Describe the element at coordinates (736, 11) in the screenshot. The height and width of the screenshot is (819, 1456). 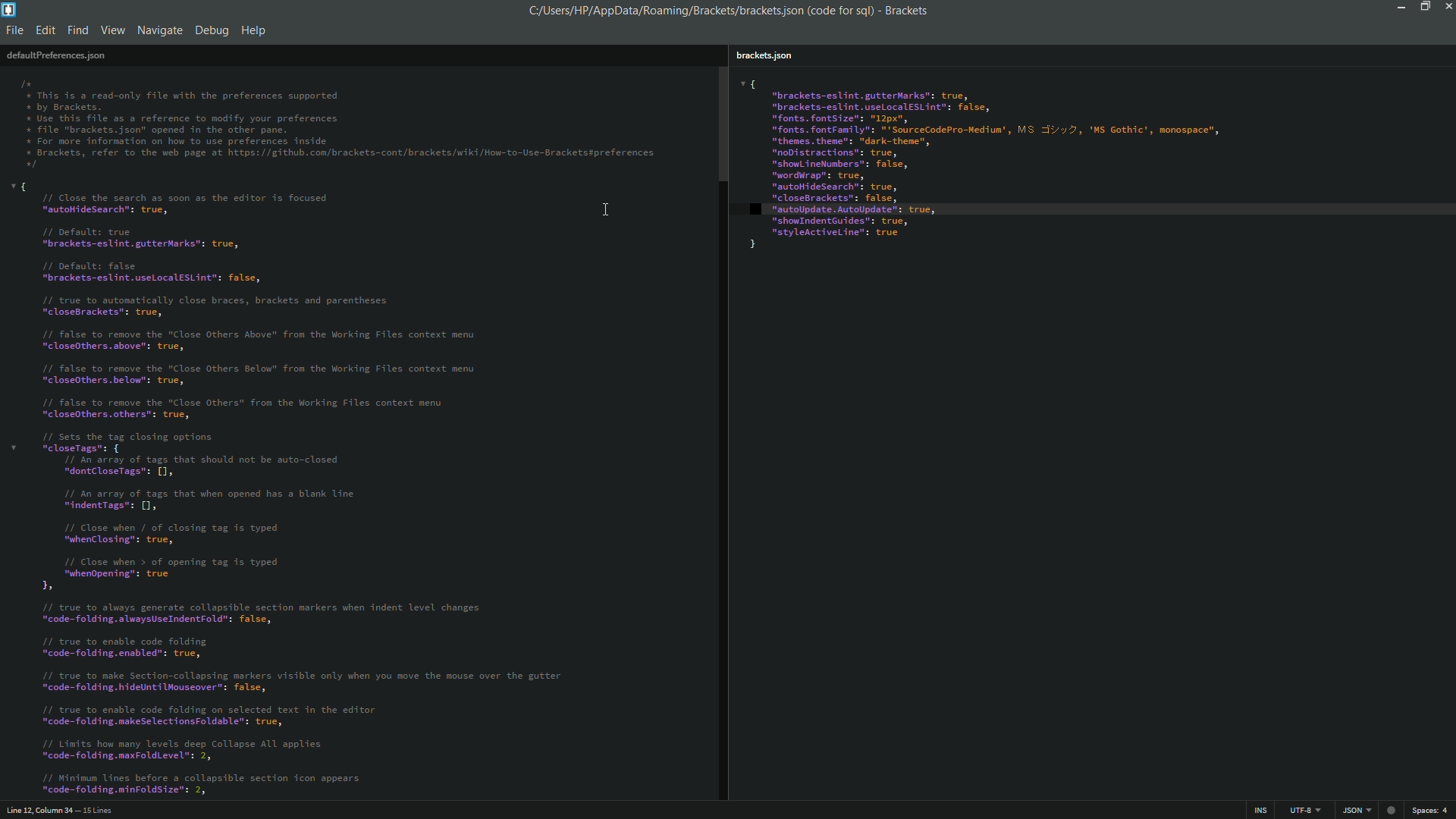
I see `C/Users/HP/AppData/Roaming/Brackets/bracketsjson (code for sql) - Brackets` at that location.